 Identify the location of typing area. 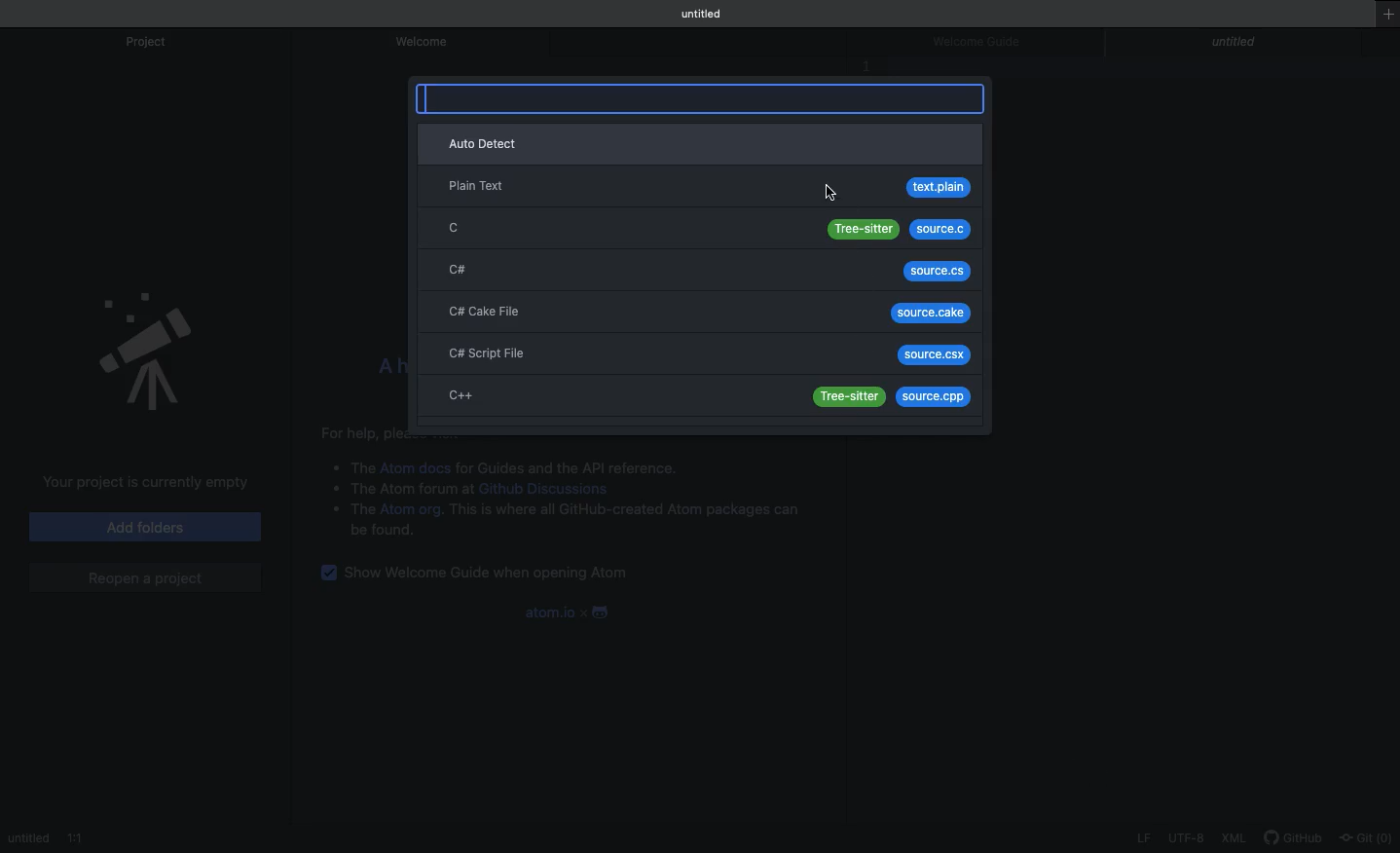
(704, 98).